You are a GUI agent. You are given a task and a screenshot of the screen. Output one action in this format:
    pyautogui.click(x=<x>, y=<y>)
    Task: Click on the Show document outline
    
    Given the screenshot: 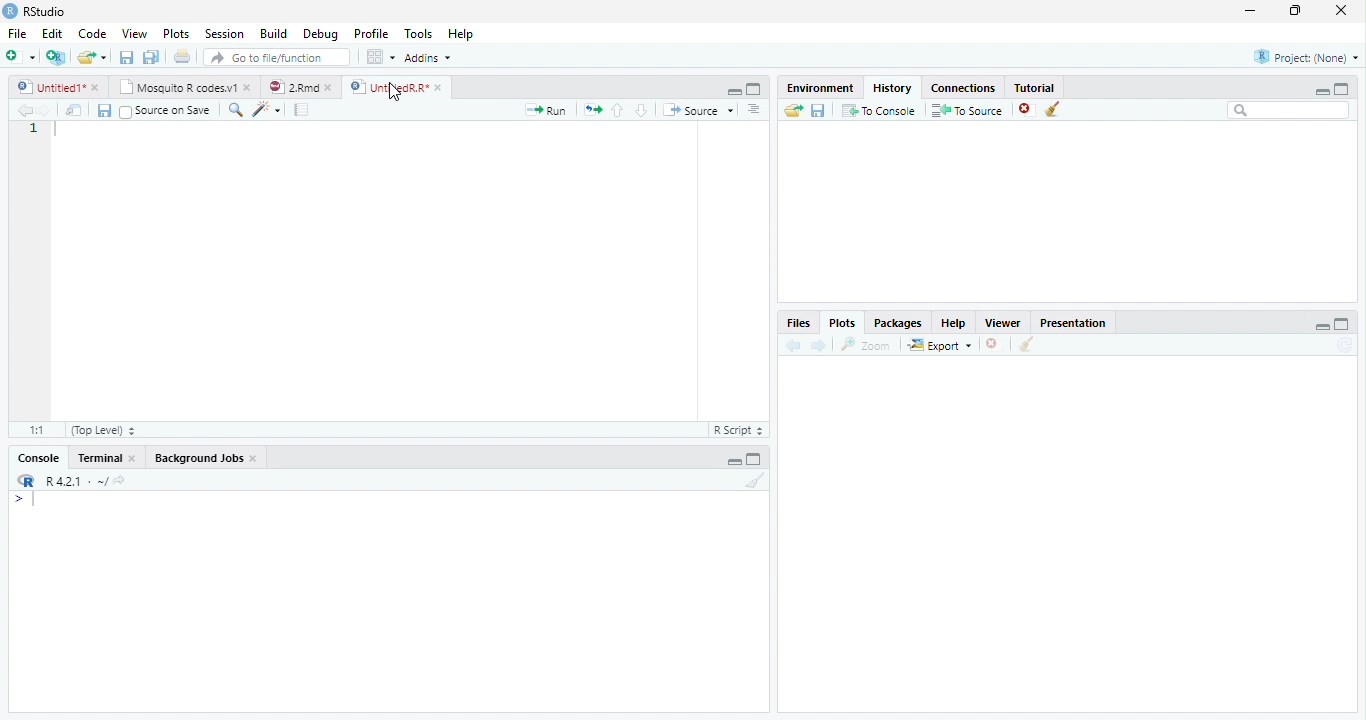 What is the action you would take?
    pyautogui.click(x=753, y=108)
    